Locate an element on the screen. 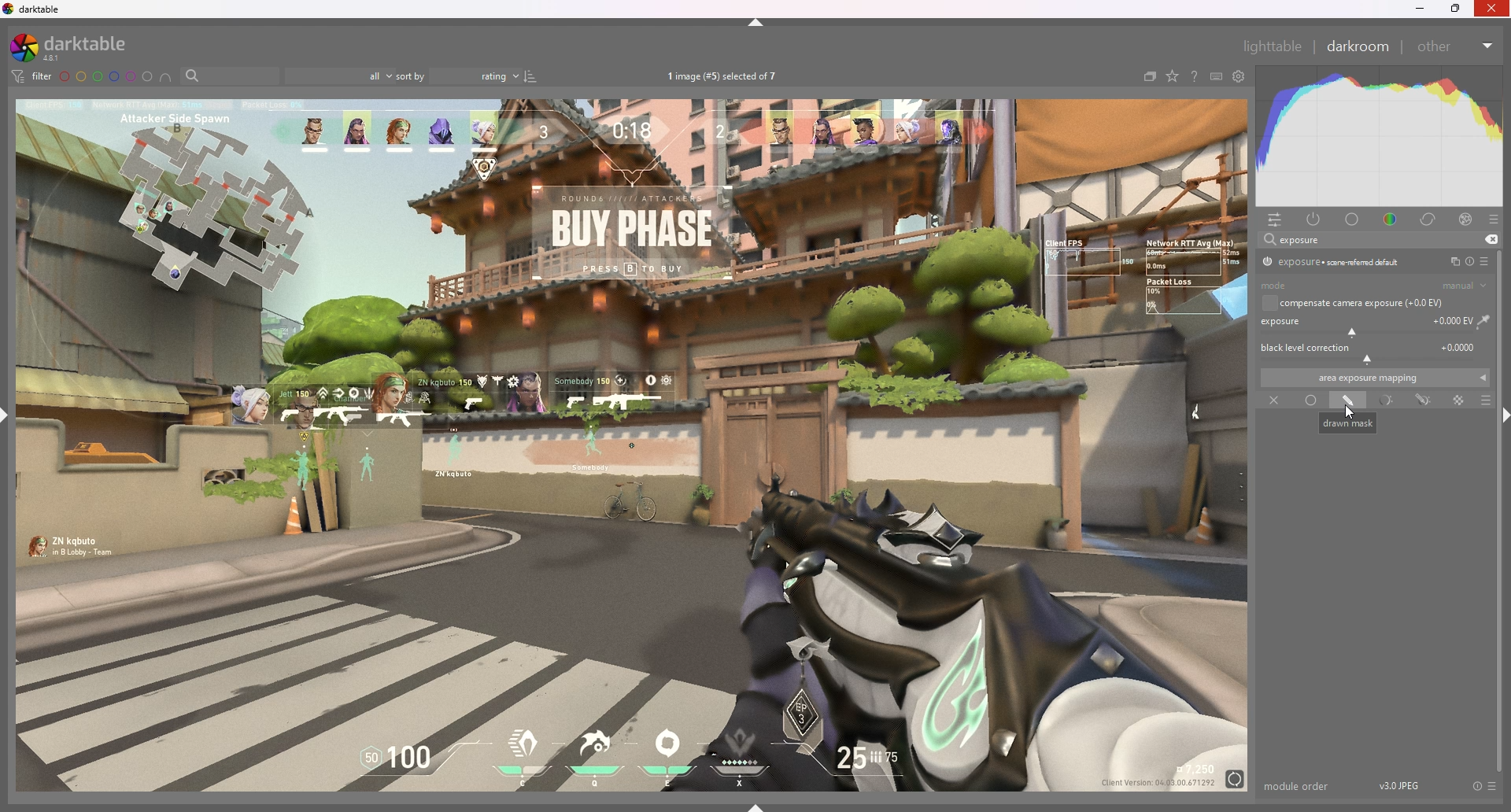  mode is located at coordinates (1374, 286).